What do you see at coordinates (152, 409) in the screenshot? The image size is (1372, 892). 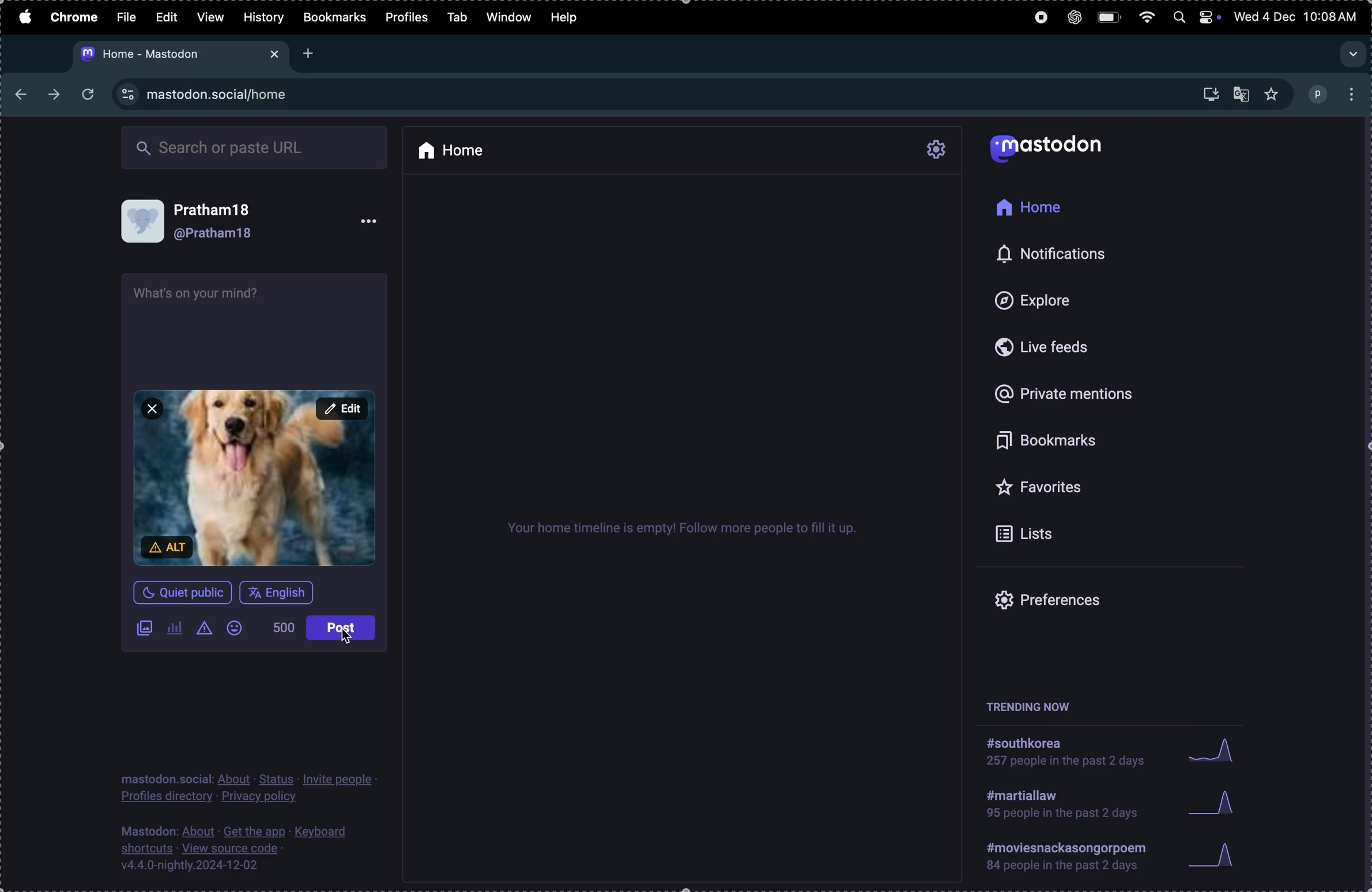 I see `close` at bounding box center [152, 409].